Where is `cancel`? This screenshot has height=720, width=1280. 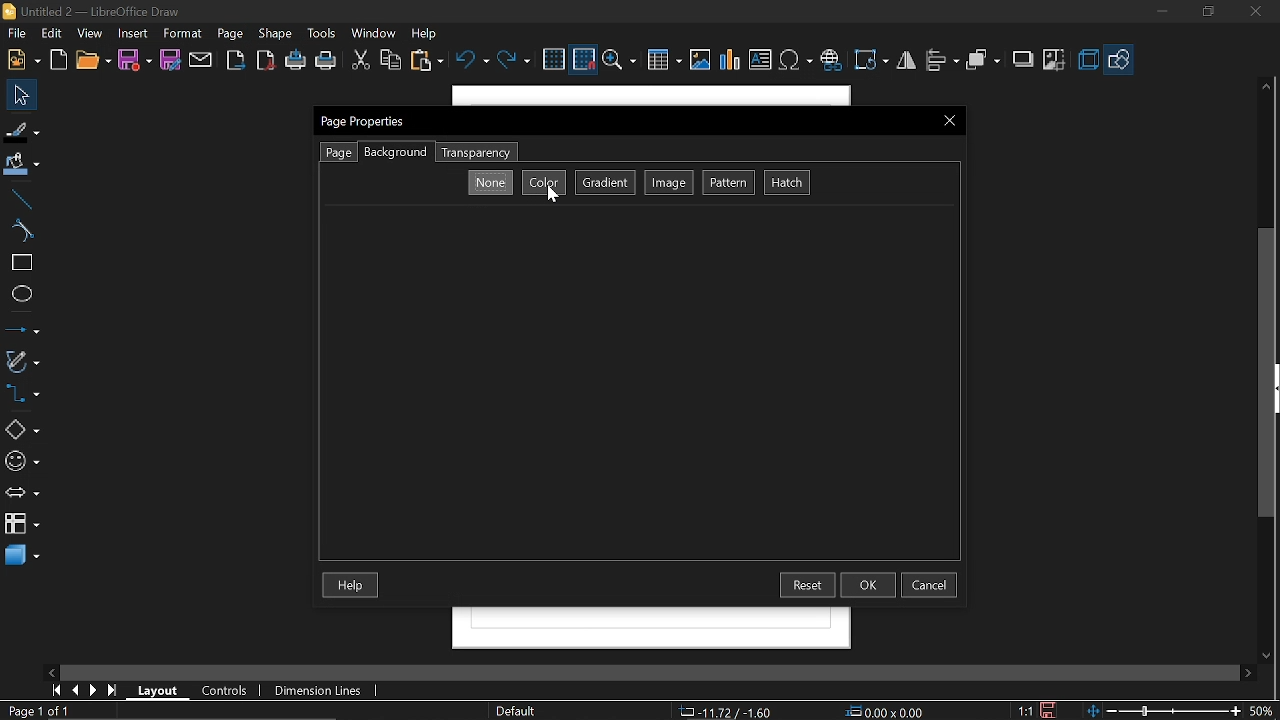
cancel is located at coordinates (930, 585).